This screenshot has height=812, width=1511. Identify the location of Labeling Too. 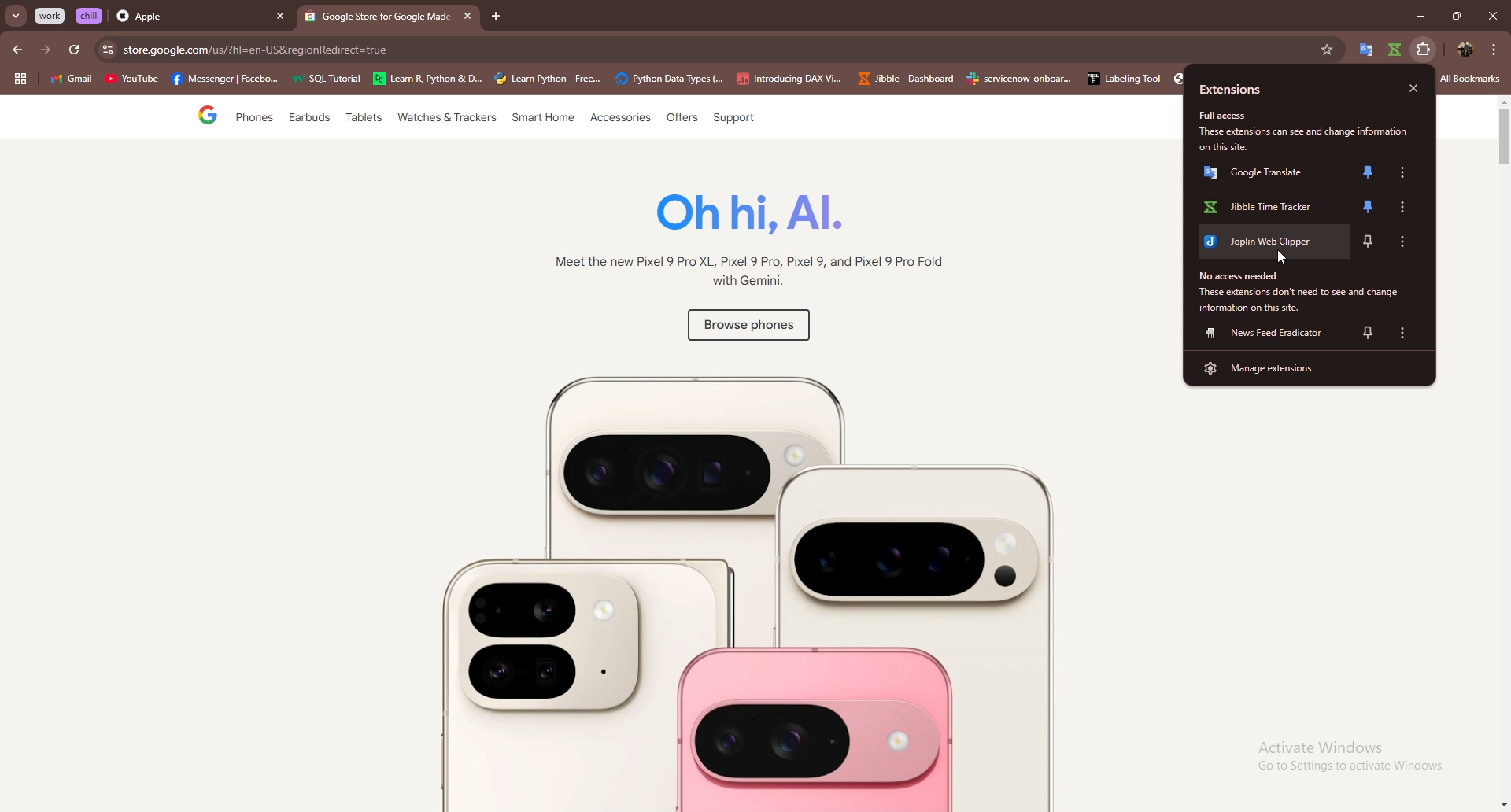
(1121, 79).